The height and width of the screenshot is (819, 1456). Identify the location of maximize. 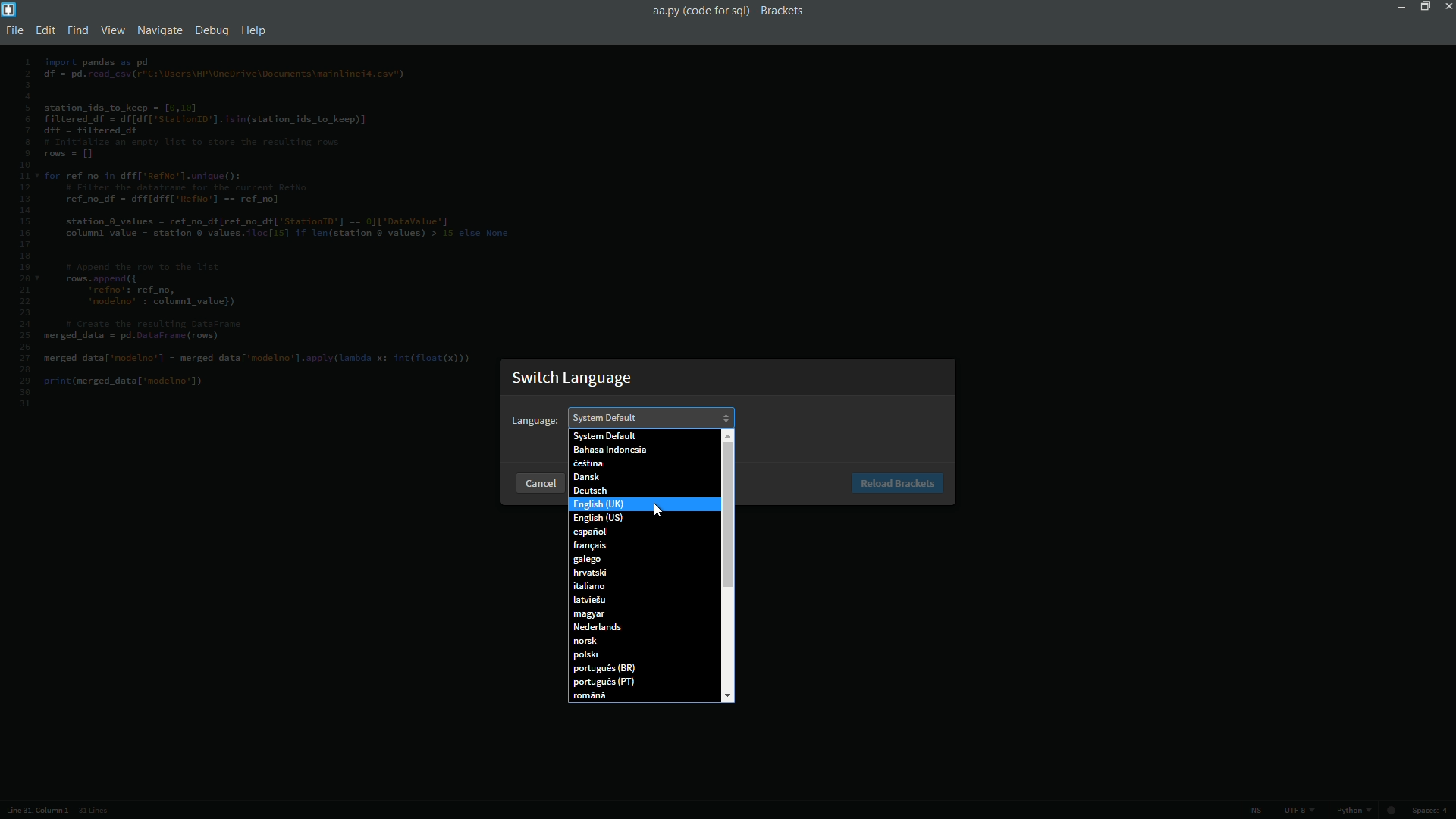
(1422, 6).